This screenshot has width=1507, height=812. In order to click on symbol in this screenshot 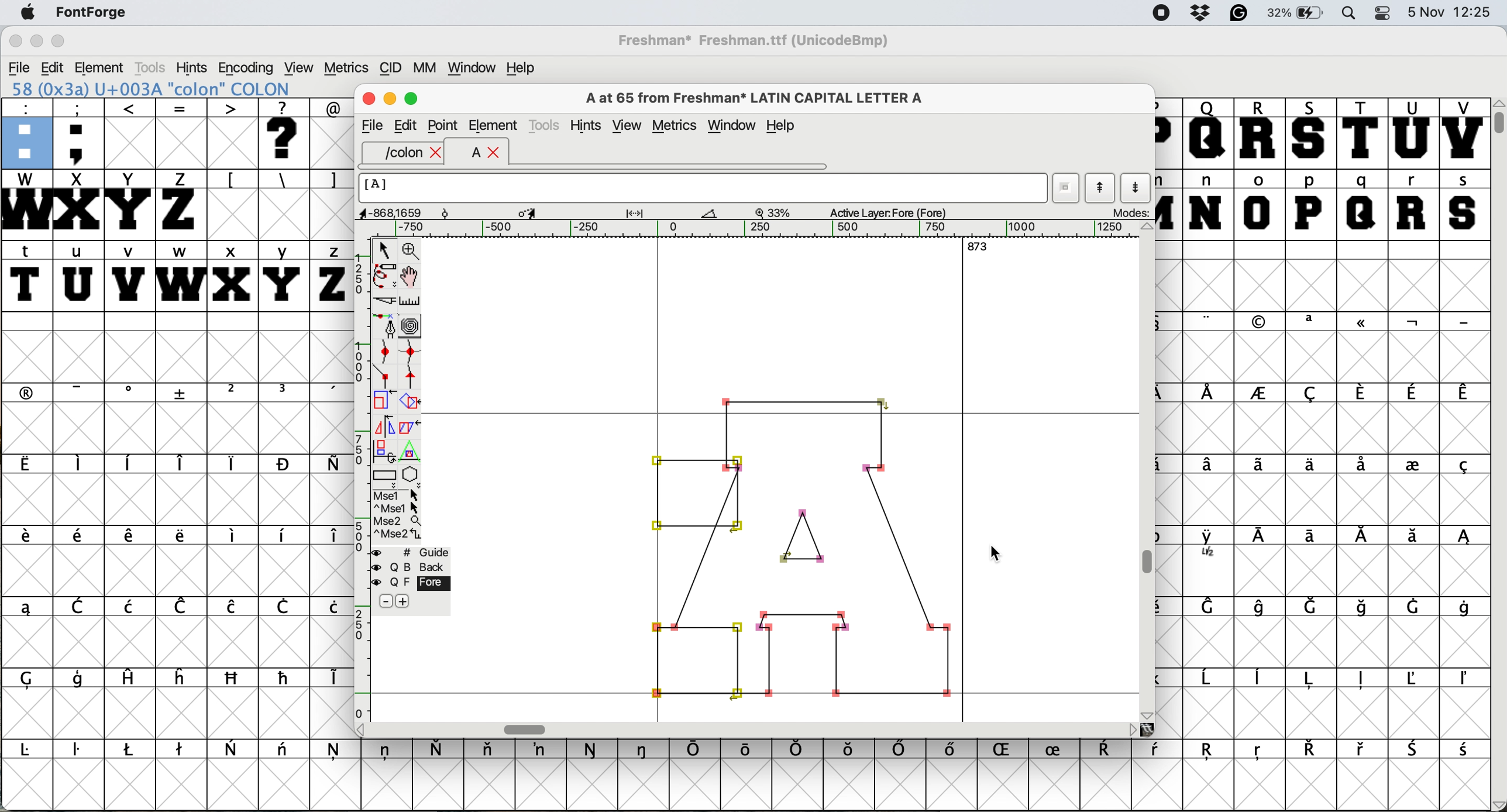, I will do `click(80, 752)`.